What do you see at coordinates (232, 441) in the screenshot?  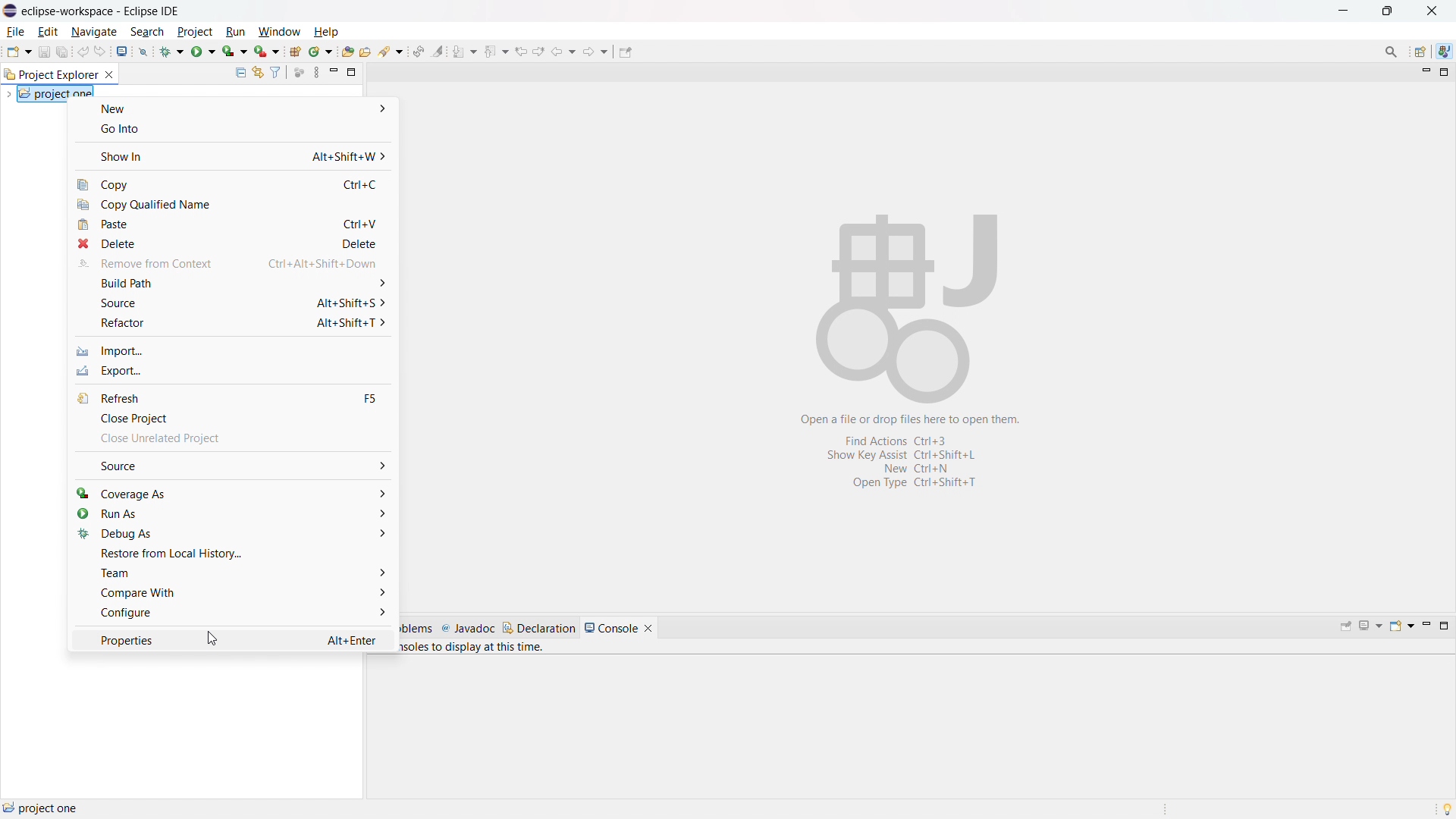 I see `close unrelated project` at bounding box center [232, 441].